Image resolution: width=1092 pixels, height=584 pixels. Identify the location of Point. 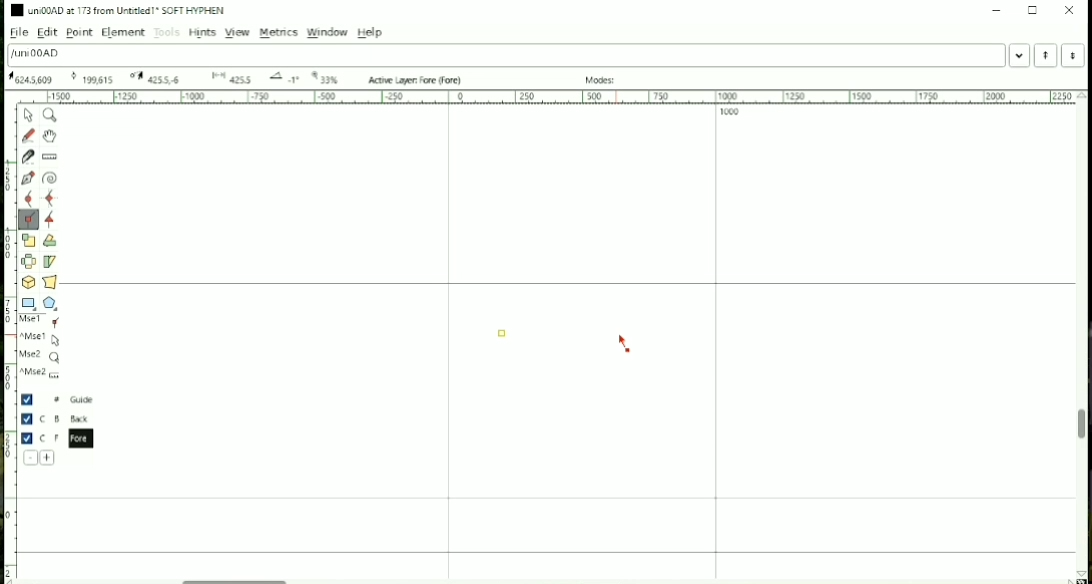
(79, 33).